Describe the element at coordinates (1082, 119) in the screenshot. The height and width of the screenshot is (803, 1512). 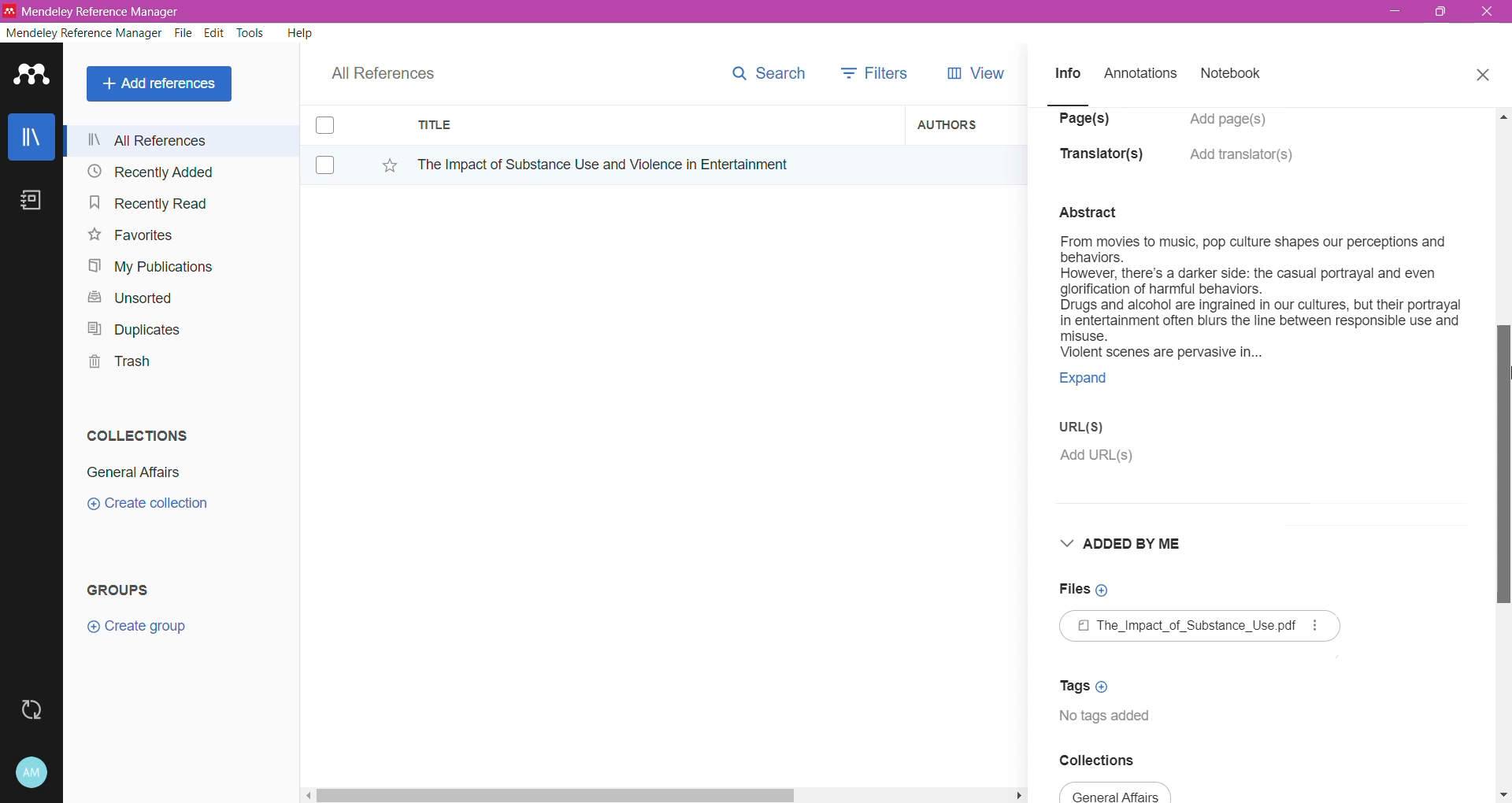
I see `Page(s)` at that location.